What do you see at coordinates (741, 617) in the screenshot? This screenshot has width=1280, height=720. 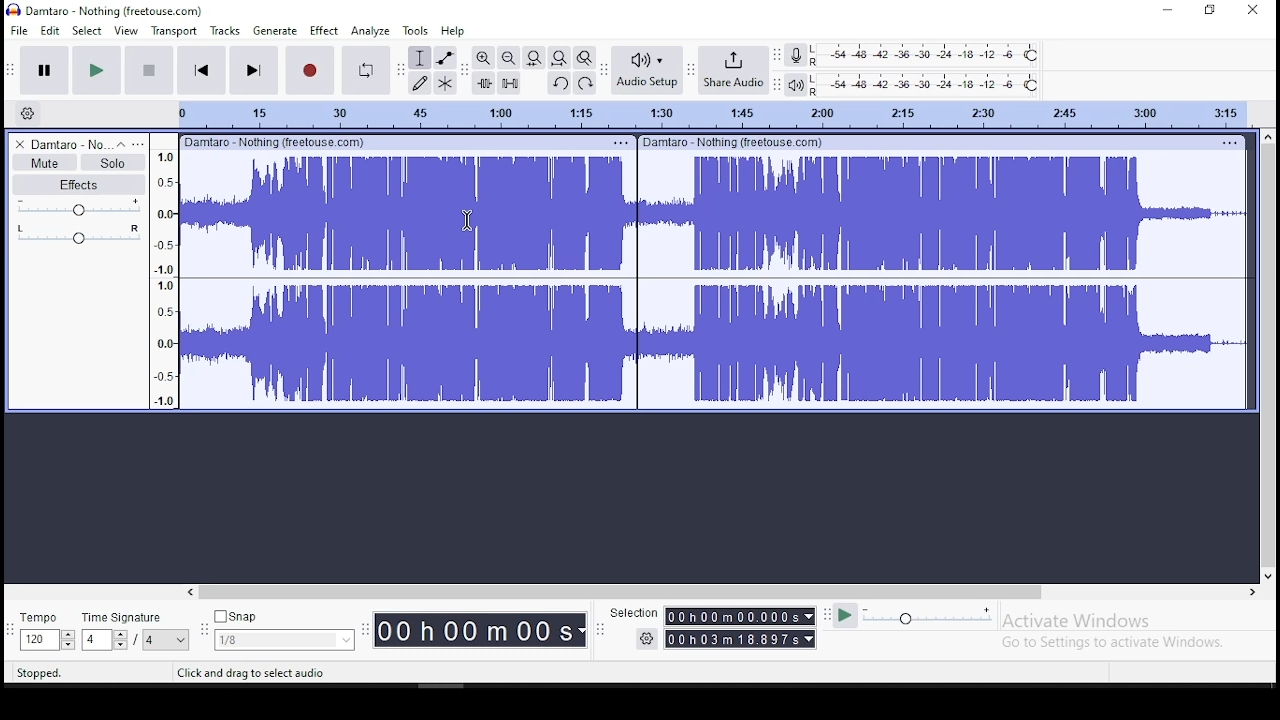 I see `time menu` at bounding box center [741, 617].